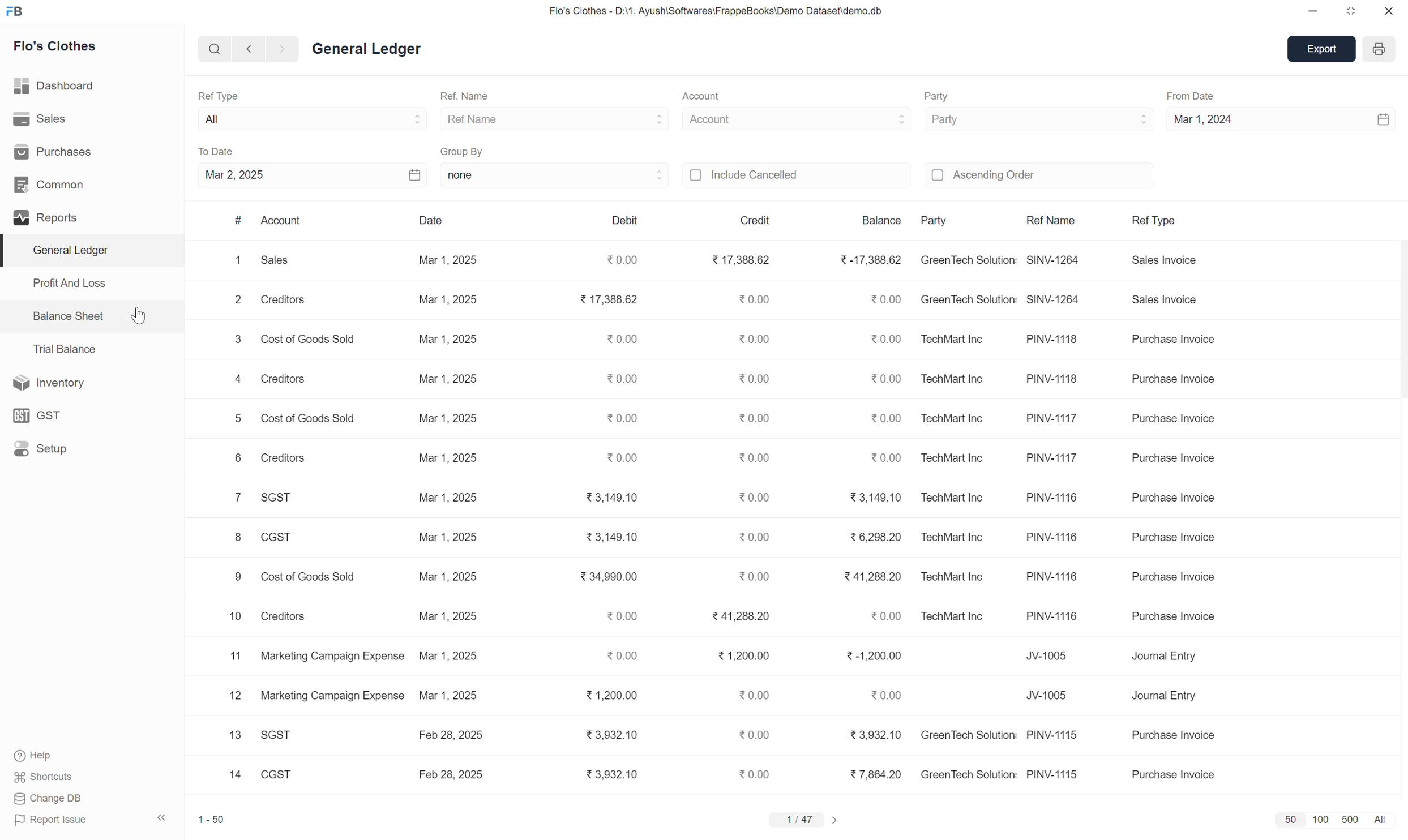  I want to click on Flo's Clothes - D:\1. Ayush\Softwares\FrappeBooks\Demo Dataset\demo.db, so click(714, 10).